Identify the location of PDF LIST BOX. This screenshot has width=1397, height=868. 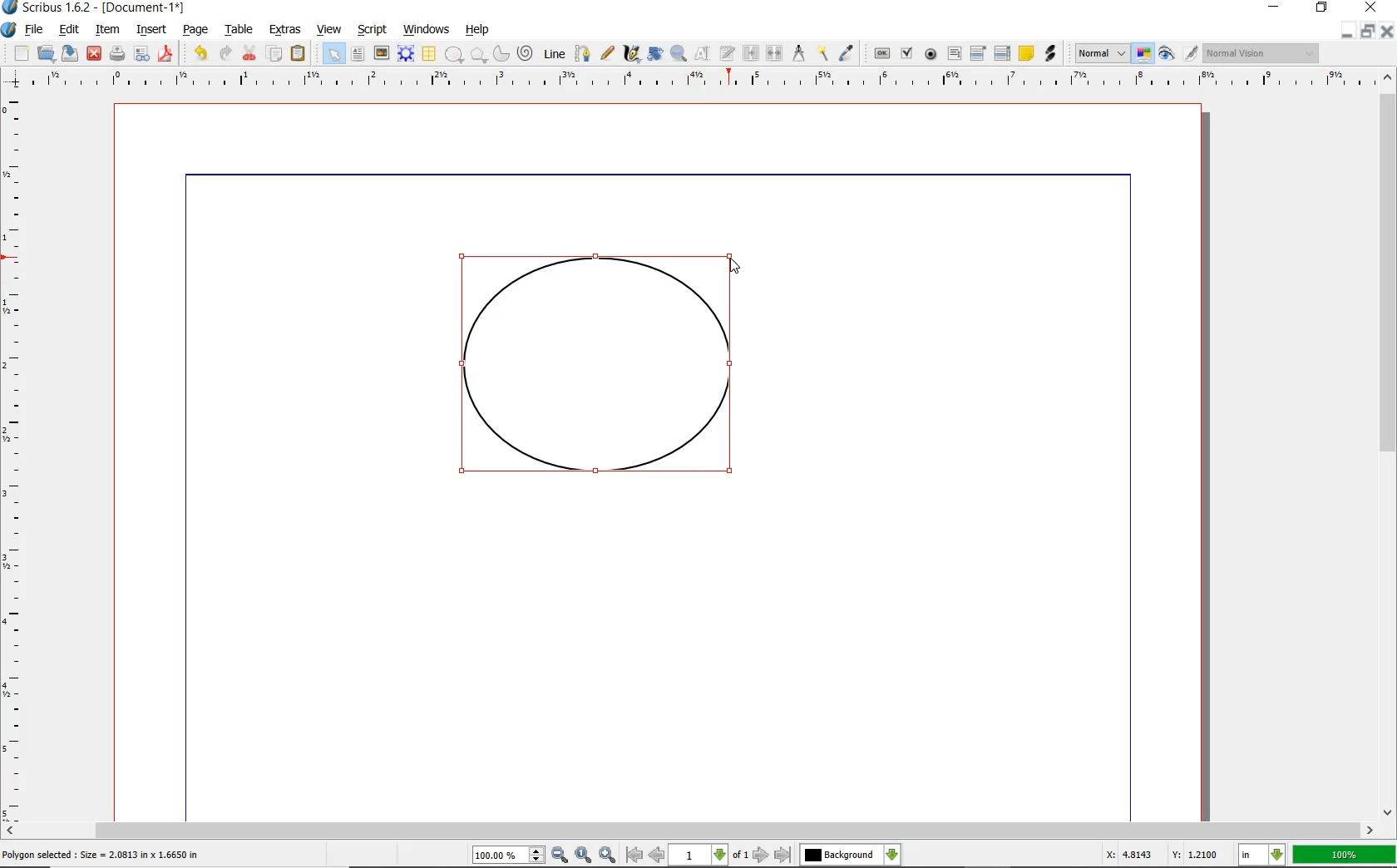
(1004, 53).